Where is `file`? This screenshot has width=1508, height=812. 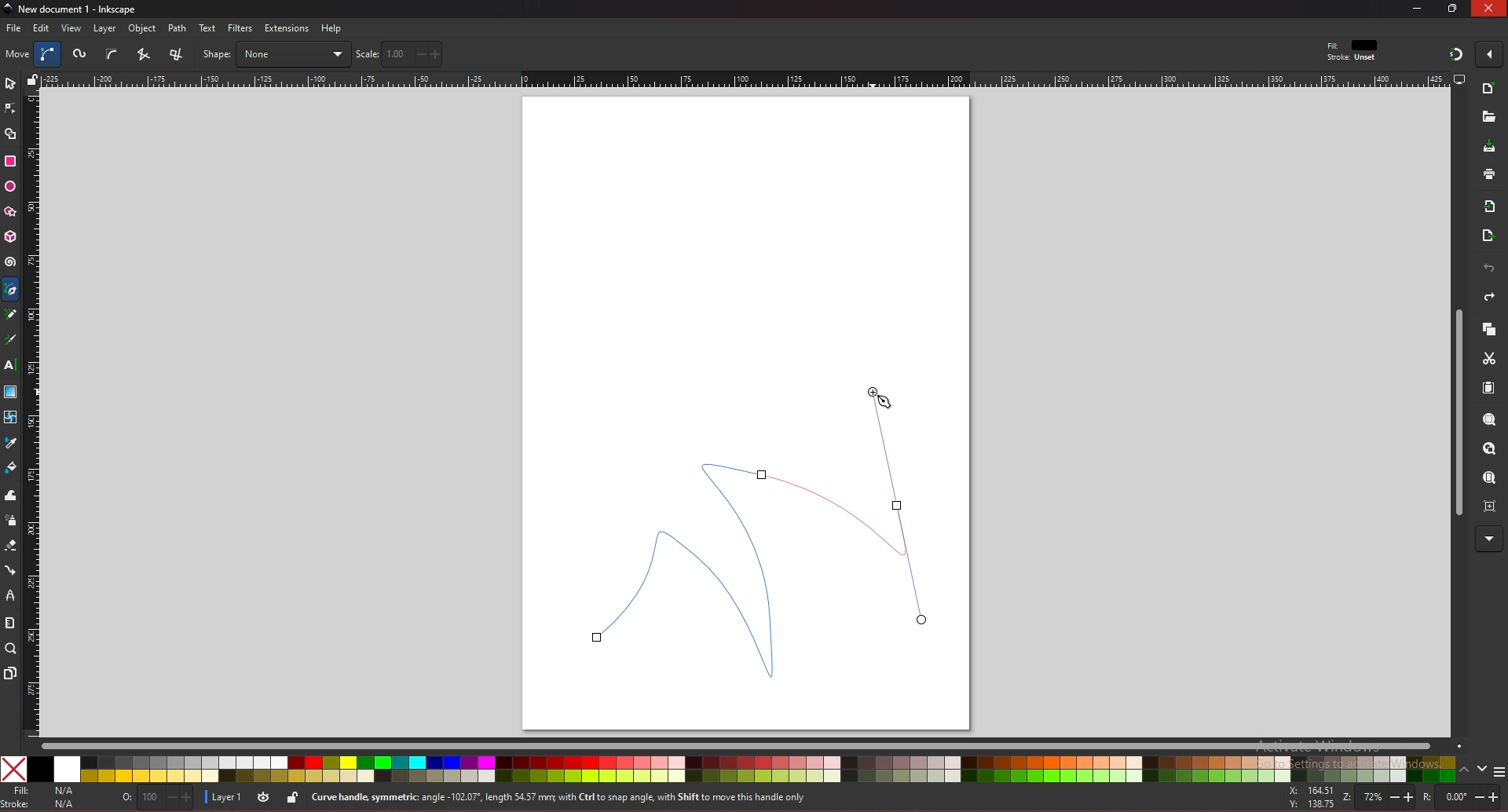
file is located at coordinates (13, 28).